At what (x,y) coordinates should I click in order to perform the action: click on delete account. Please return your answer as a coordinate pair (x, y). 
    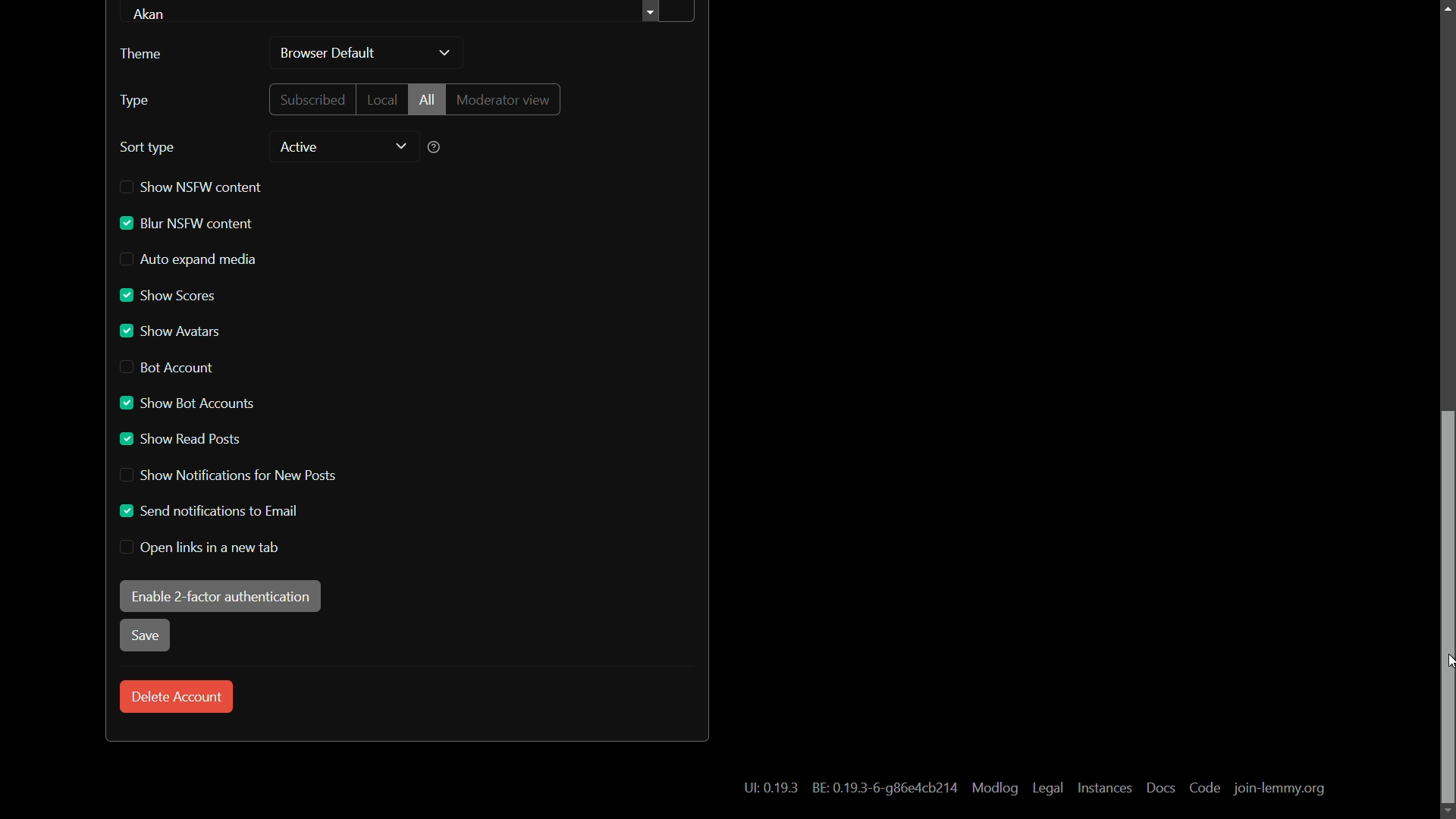
    Looking at the image, I should click on (177, 697).